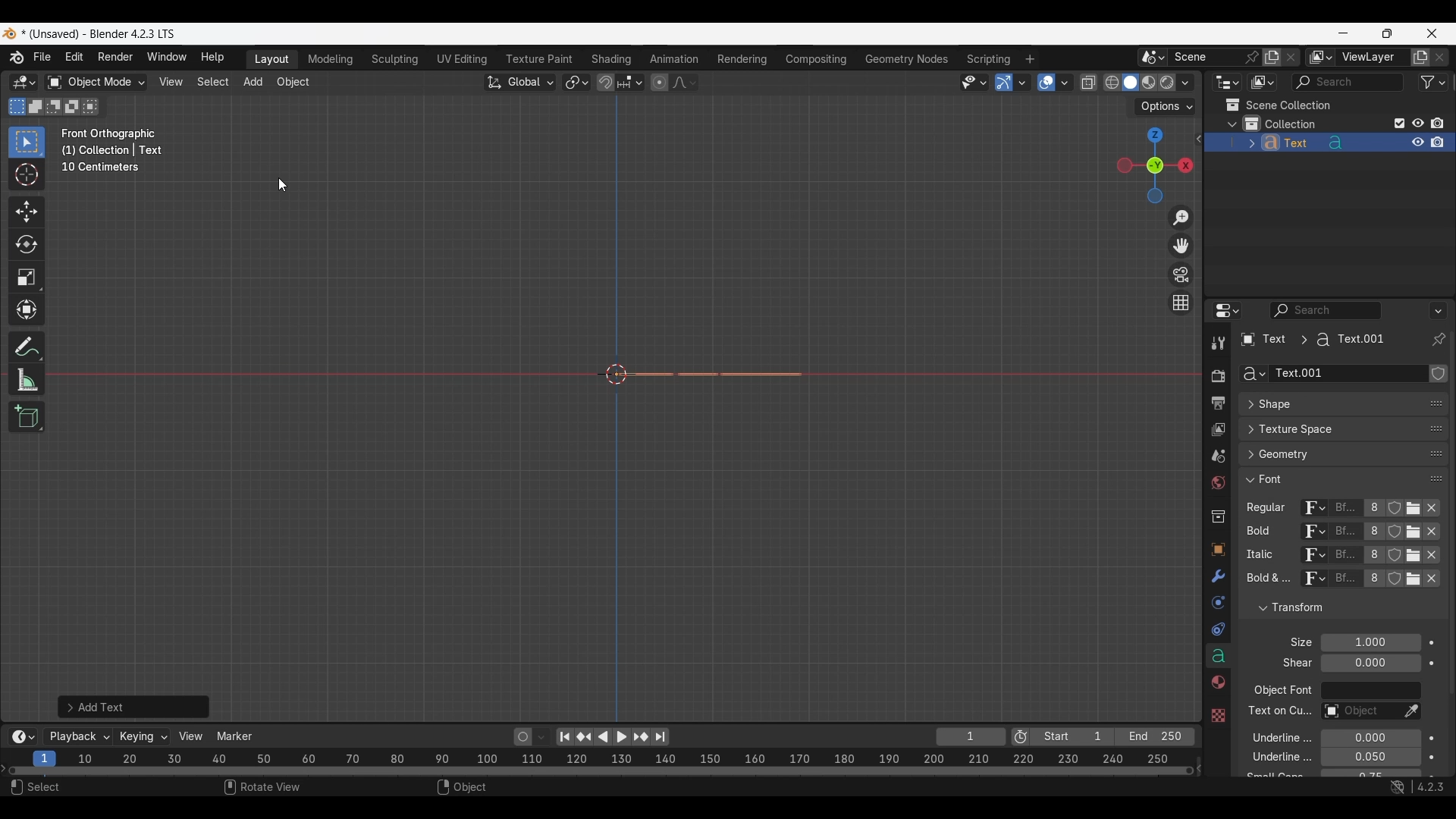  Describe the element at coordinates (142, 736) in the screenshot. I see `Keying` at that location.